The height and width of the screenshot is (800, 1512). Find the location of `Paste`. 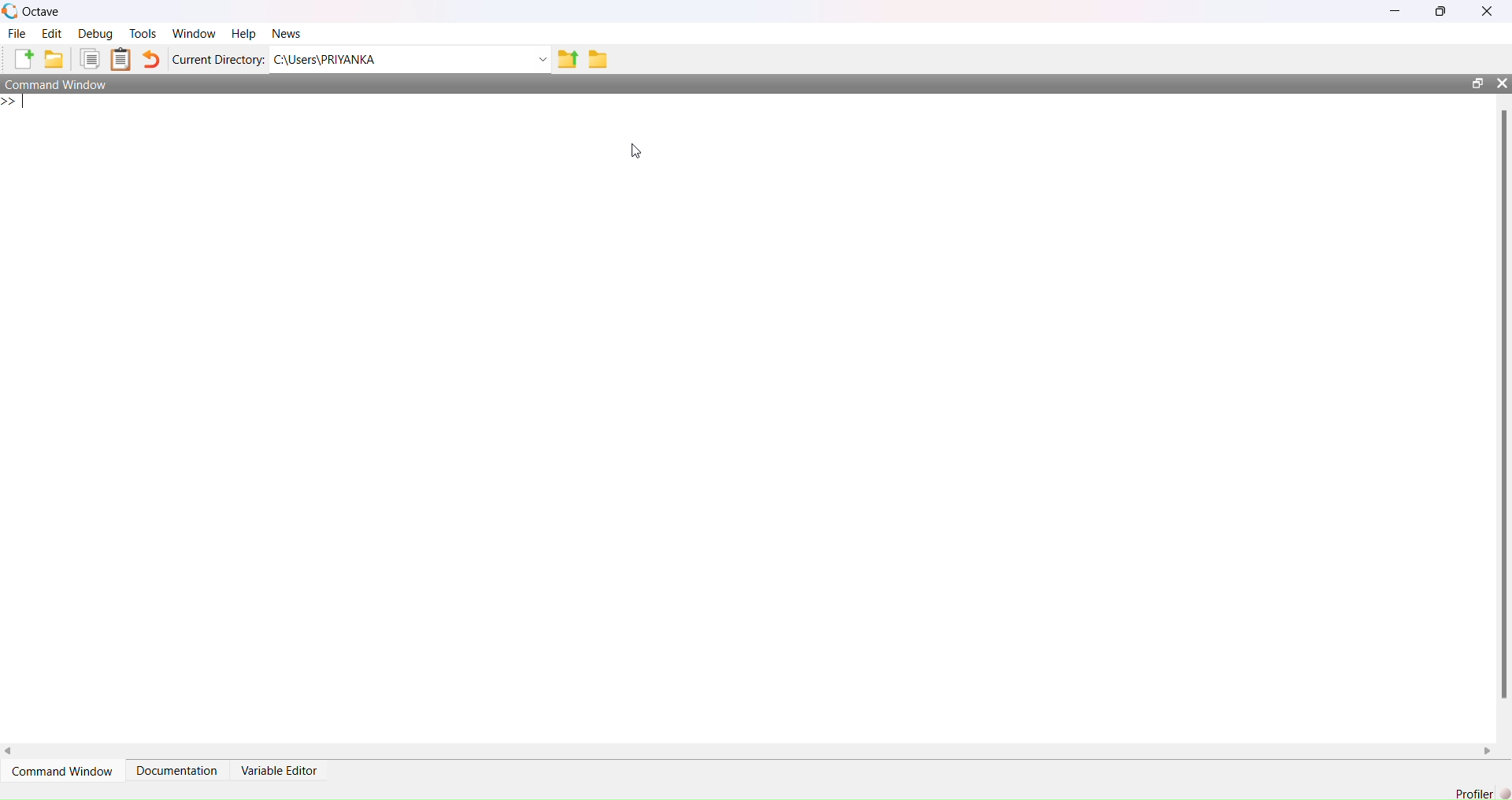

Paste is located at coordinates (121, 59).